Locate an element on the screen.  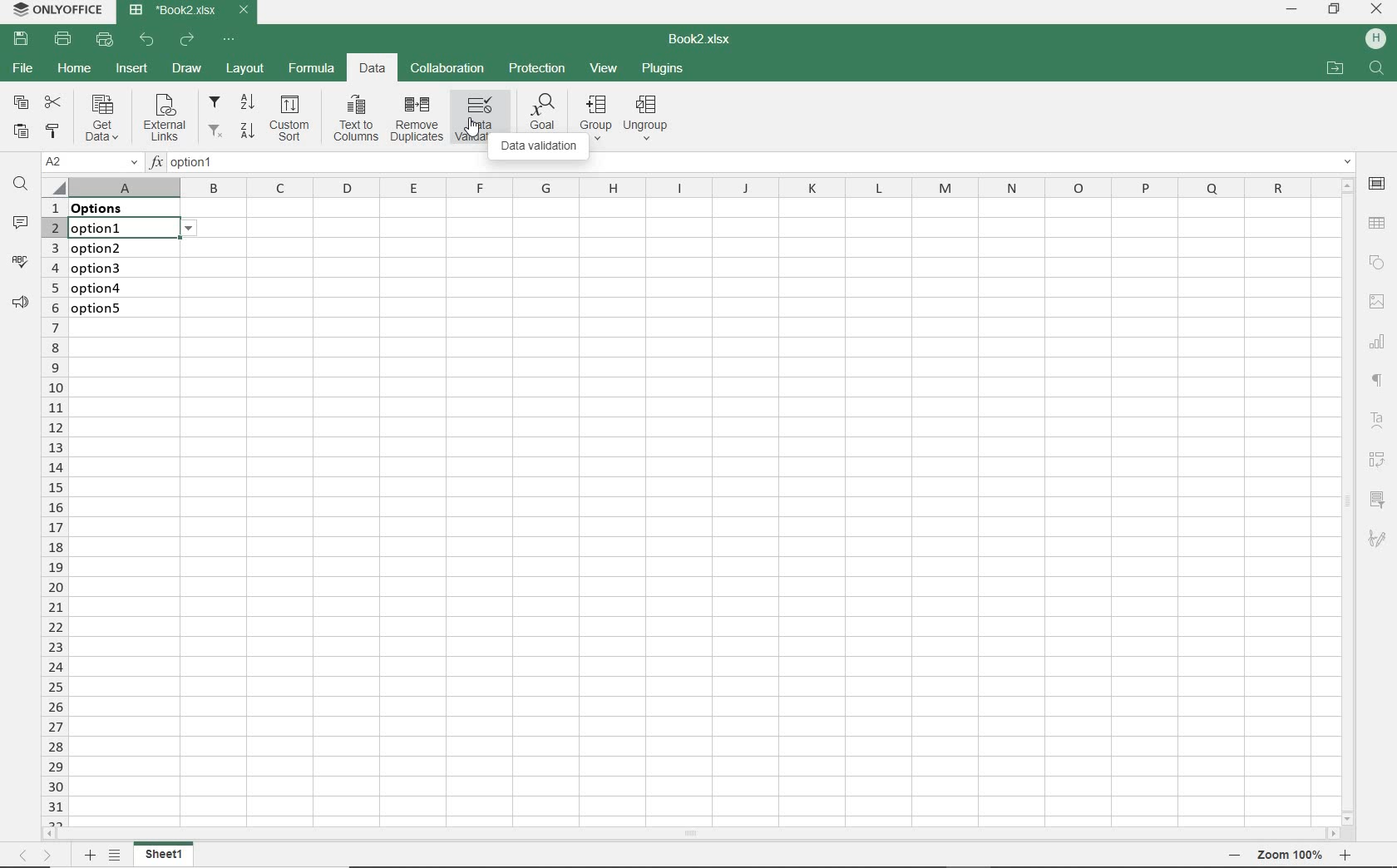
CHART is located at coordinates (1379, 344).